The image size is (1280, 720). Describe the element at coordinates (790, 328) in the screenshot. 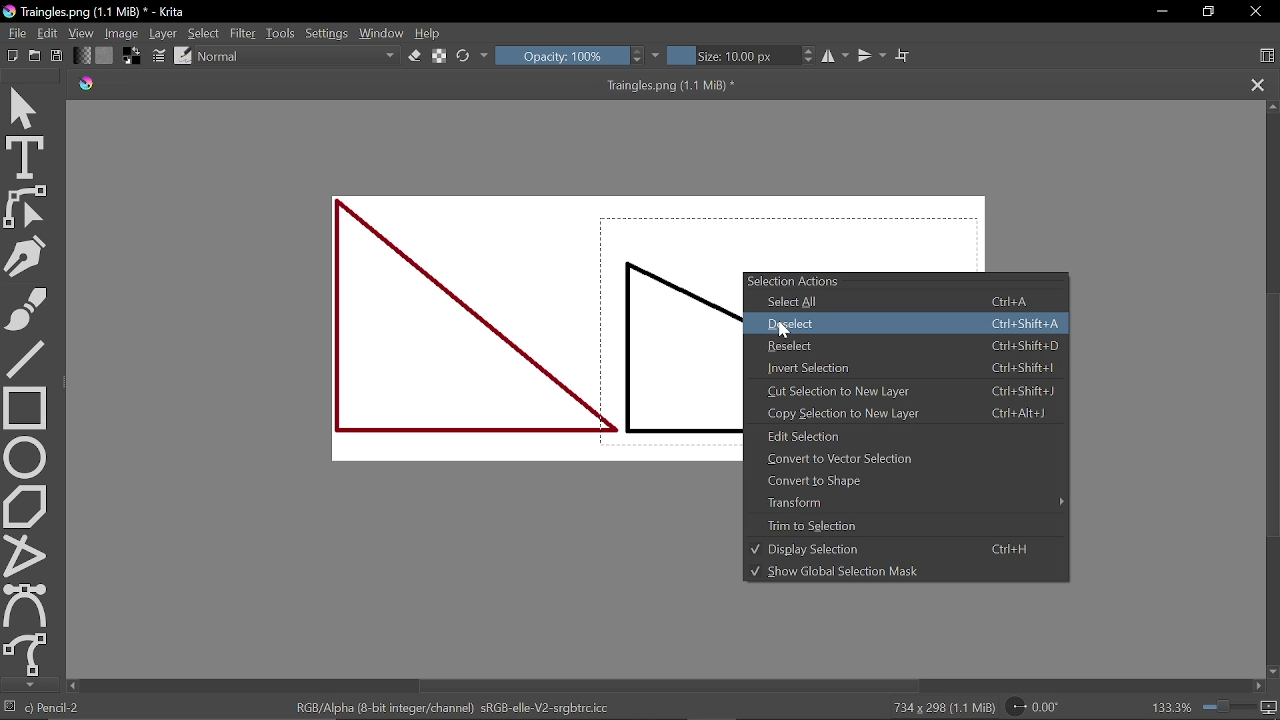

I see `Cursor` at that location.